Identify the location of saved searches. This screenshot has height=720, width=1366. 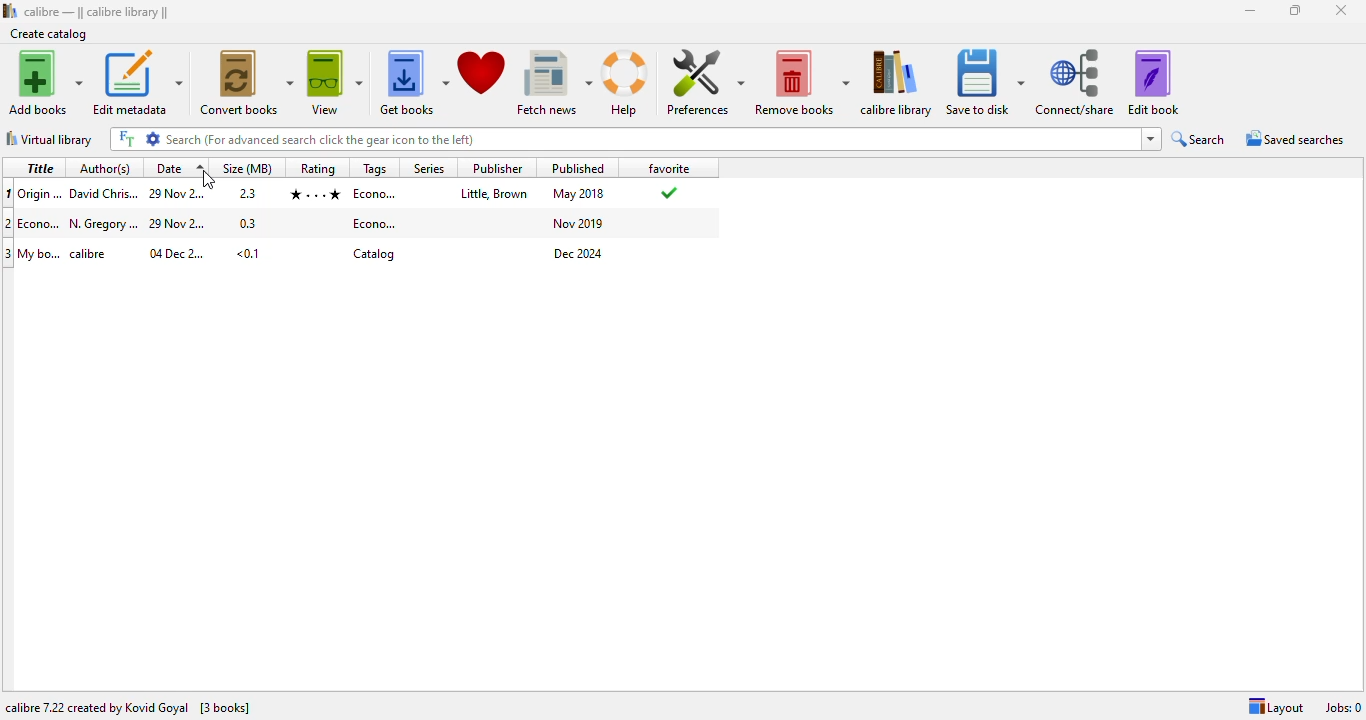
(1294, 138).